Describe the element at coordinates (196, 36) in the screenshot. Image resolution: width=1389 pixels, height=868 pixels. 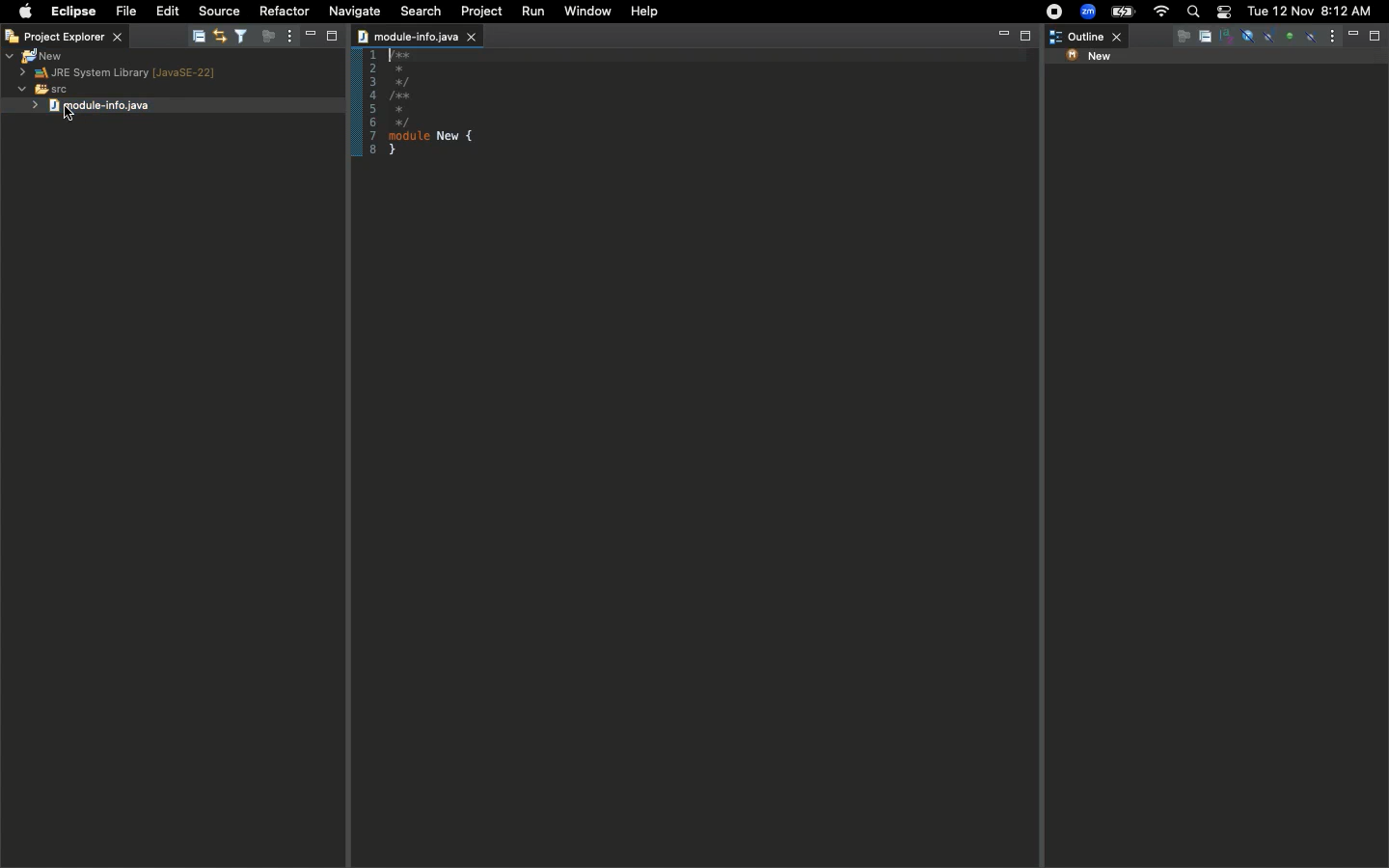
I see `Collapse` at that location.